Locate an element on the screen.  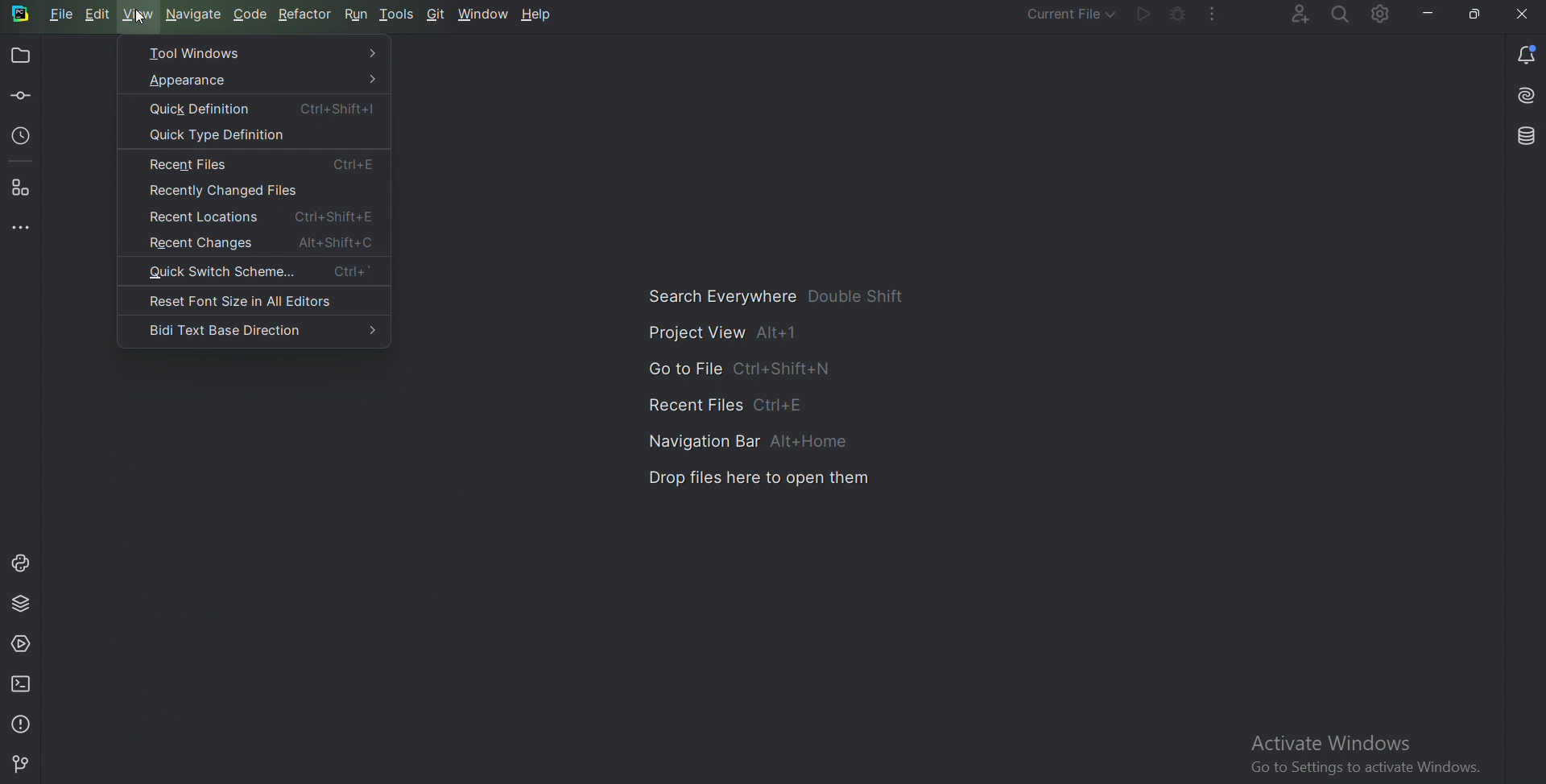
Tool windows is located at coordinates (254, 52).